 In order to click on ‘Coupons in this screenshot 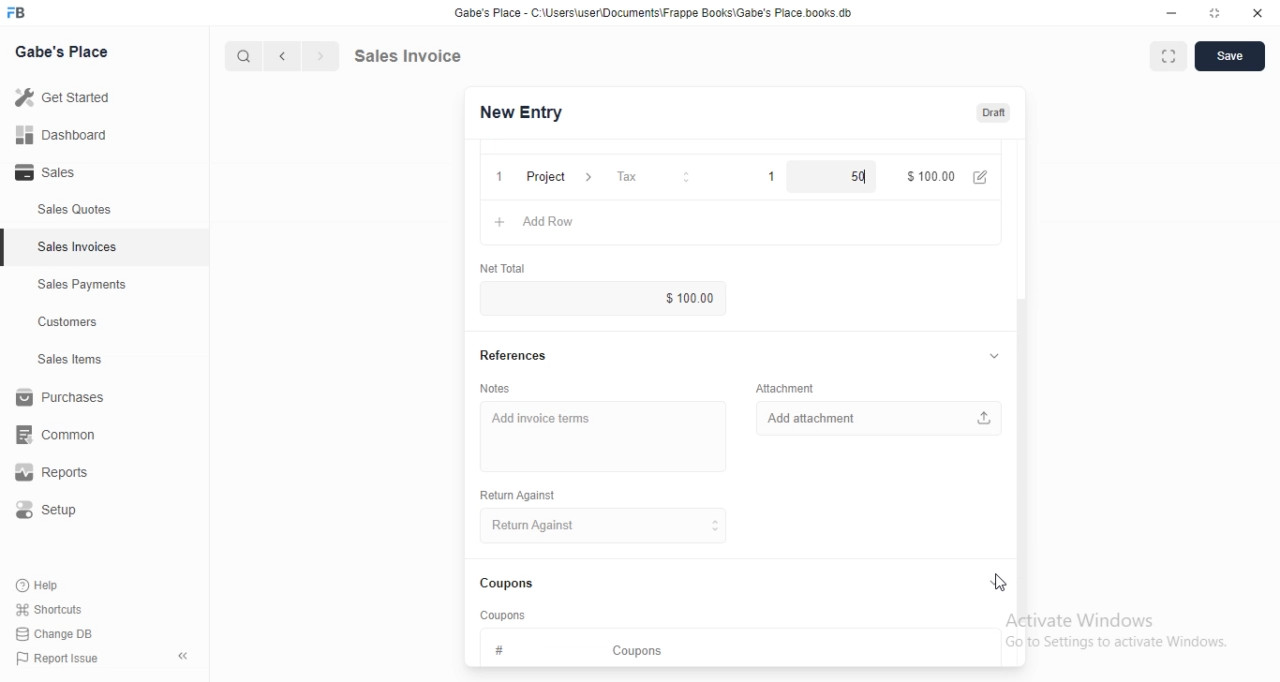, I will do `click(505, 614)`.